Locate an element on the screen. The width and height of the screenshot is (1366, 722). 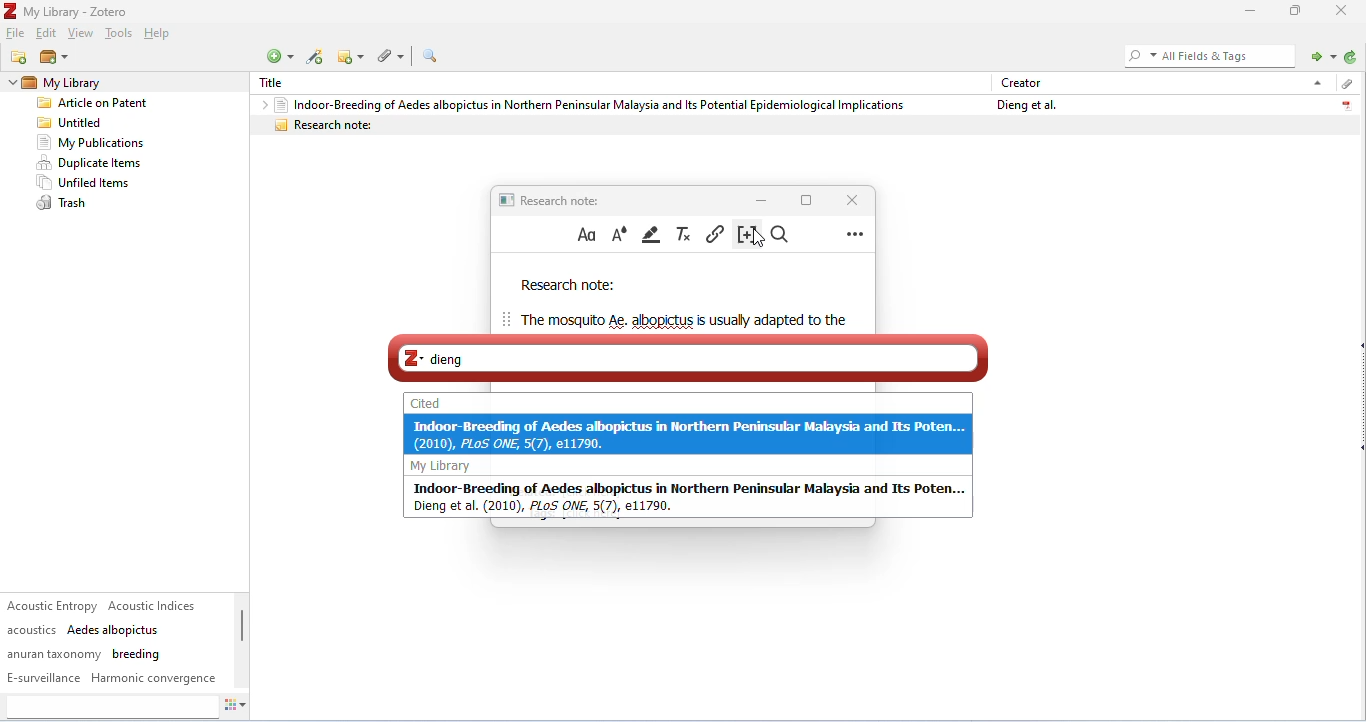
Article on Patent is located at coordinates (99, 104).